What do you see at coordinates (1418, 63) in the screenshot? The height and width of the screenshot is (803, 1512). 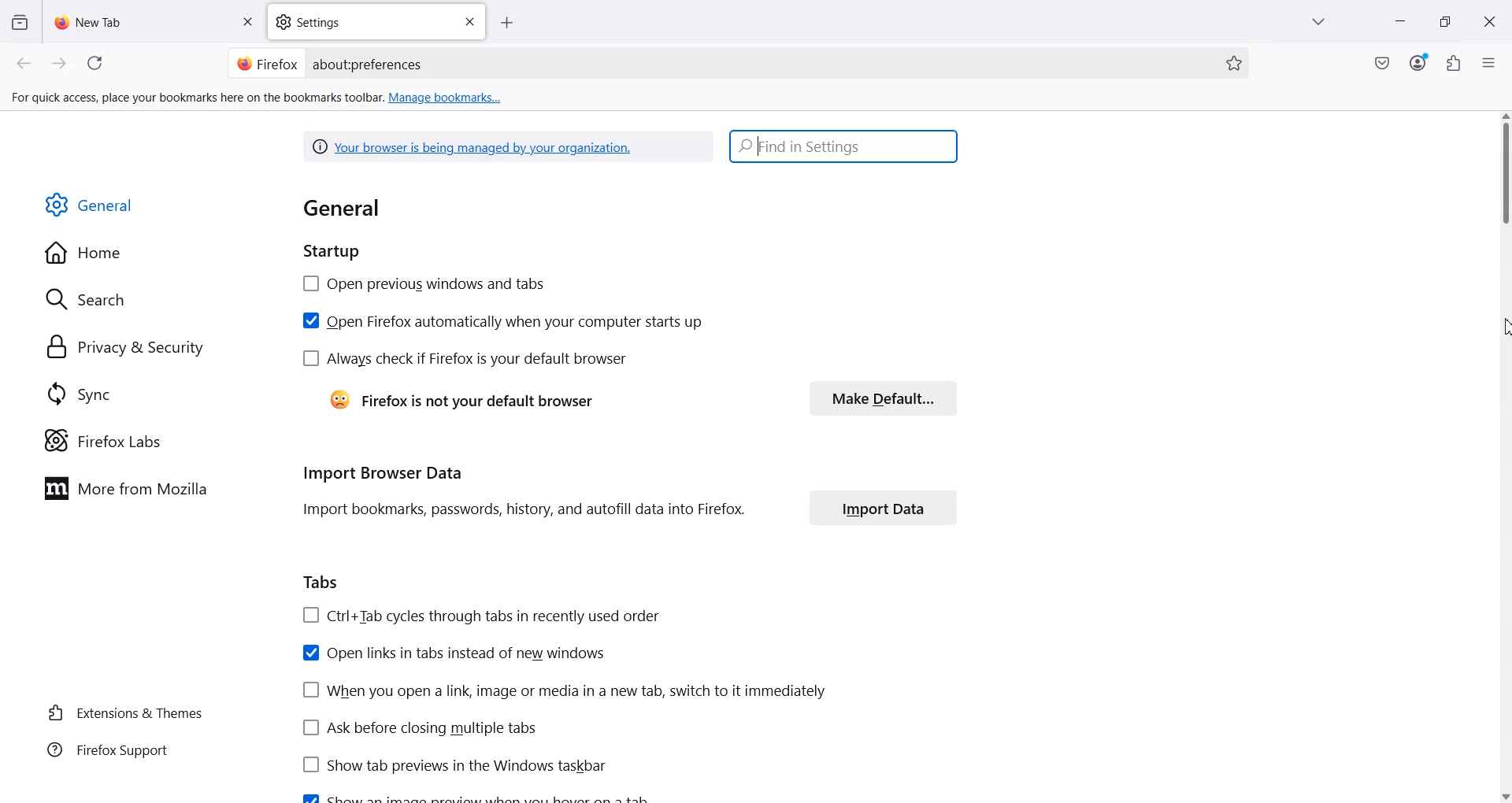 I see `Account` at bounding box center [1418, 63].